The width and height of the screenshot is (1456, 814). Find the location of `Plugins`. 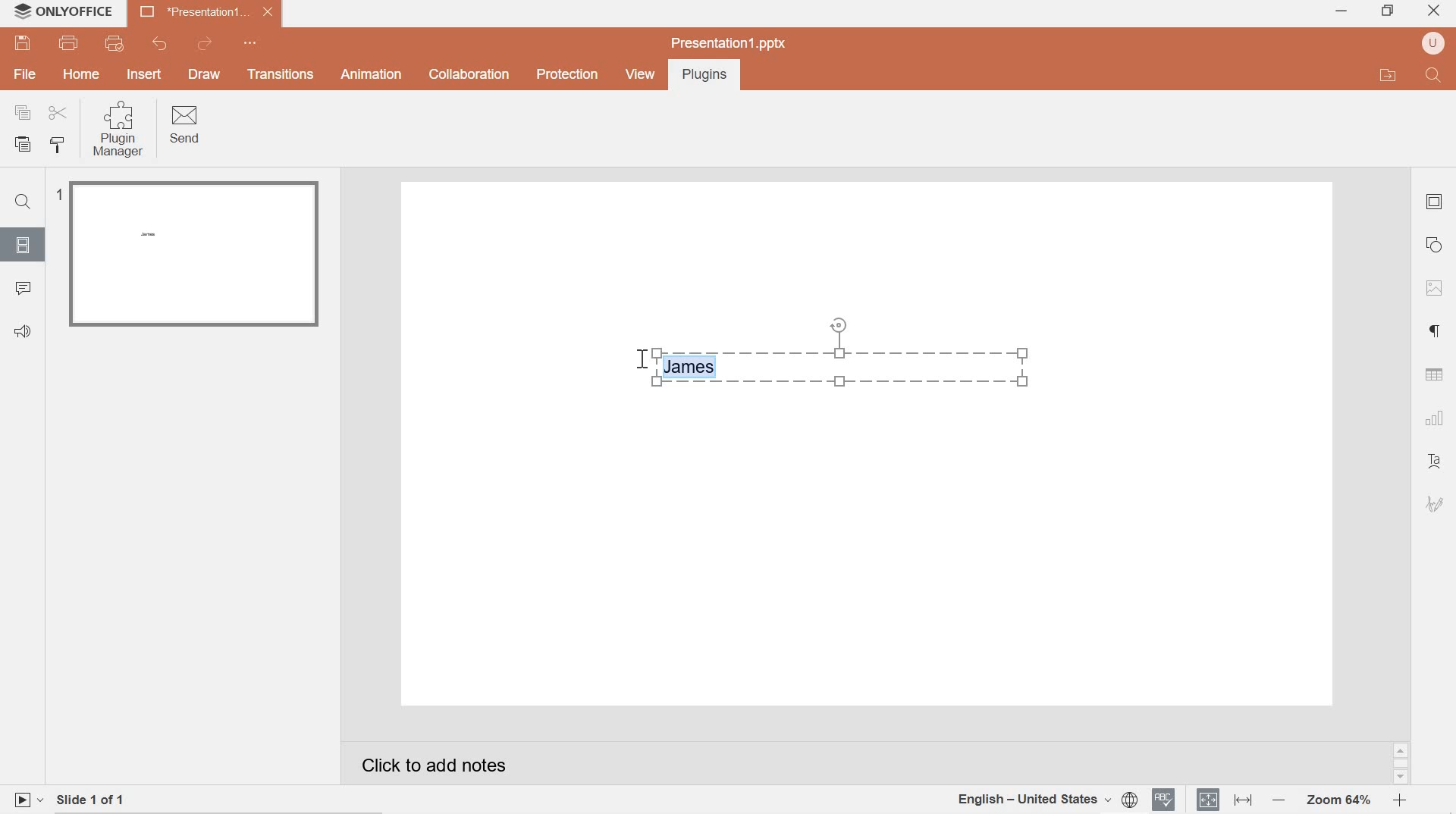

Plugins is located at coordinates (701, 76).